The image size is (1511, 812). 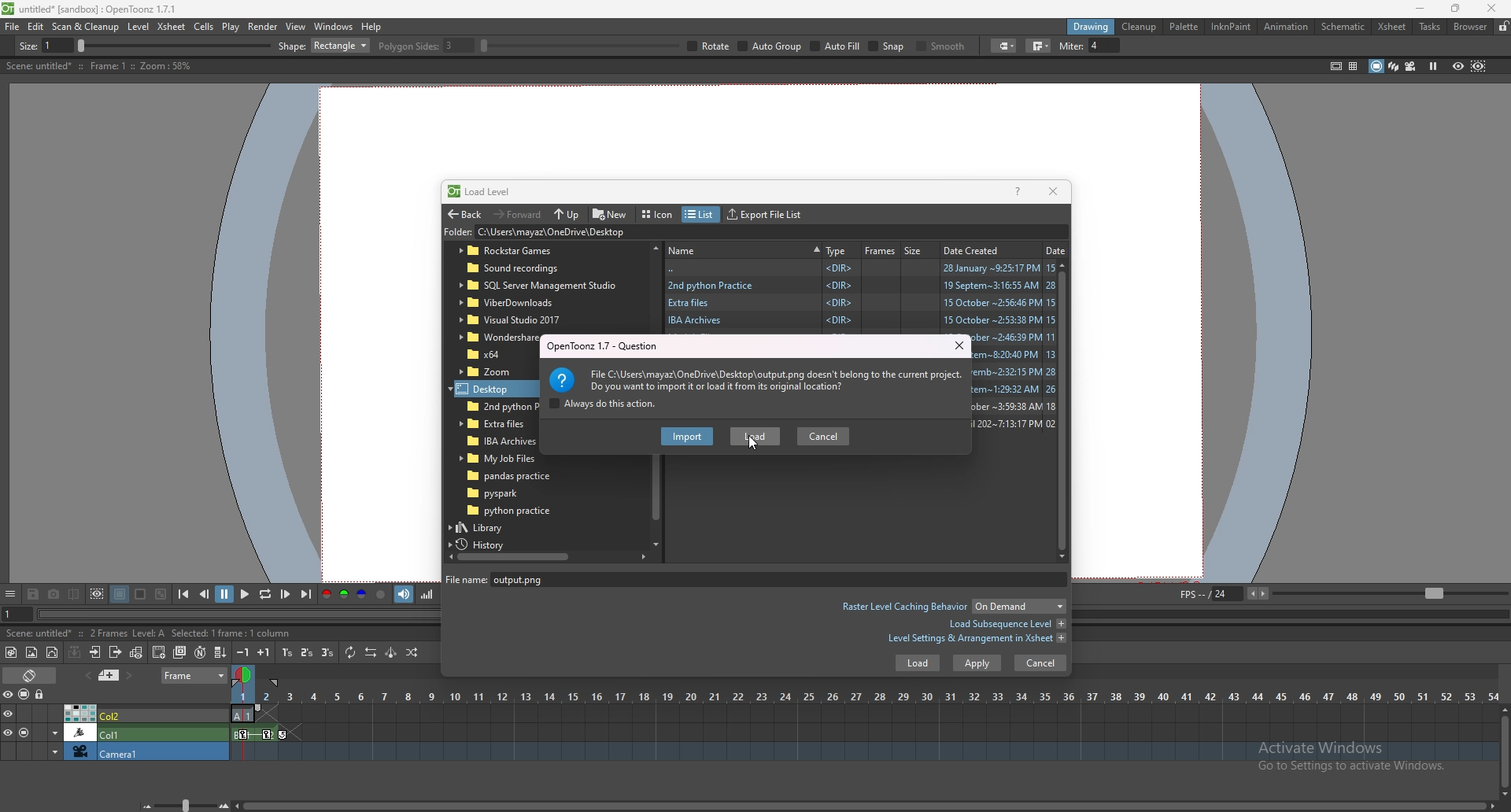 I want to click on toggle edit in place, so click(x=136, y=652).